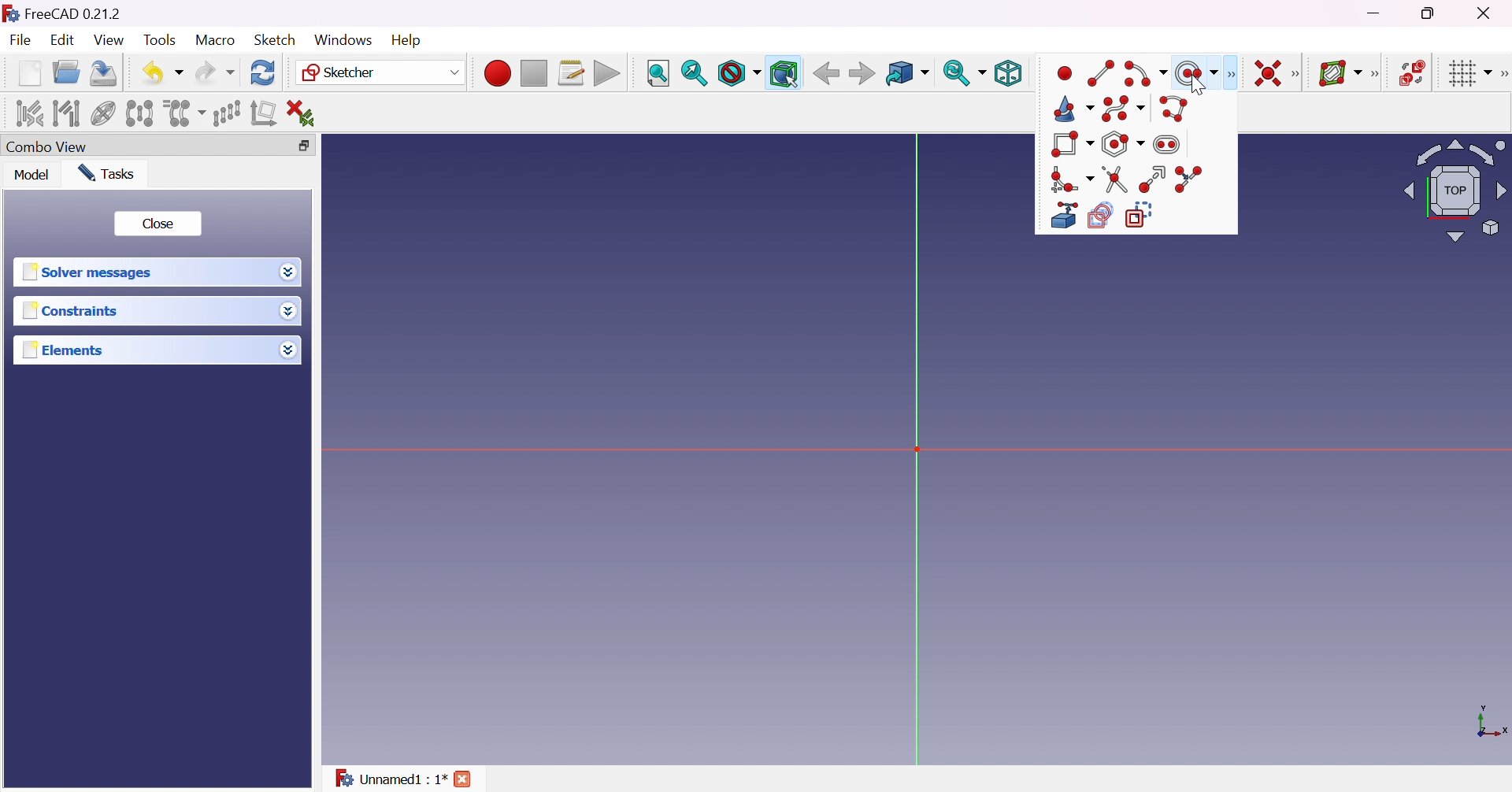  I want to click on Constraints, so click(71, 312).